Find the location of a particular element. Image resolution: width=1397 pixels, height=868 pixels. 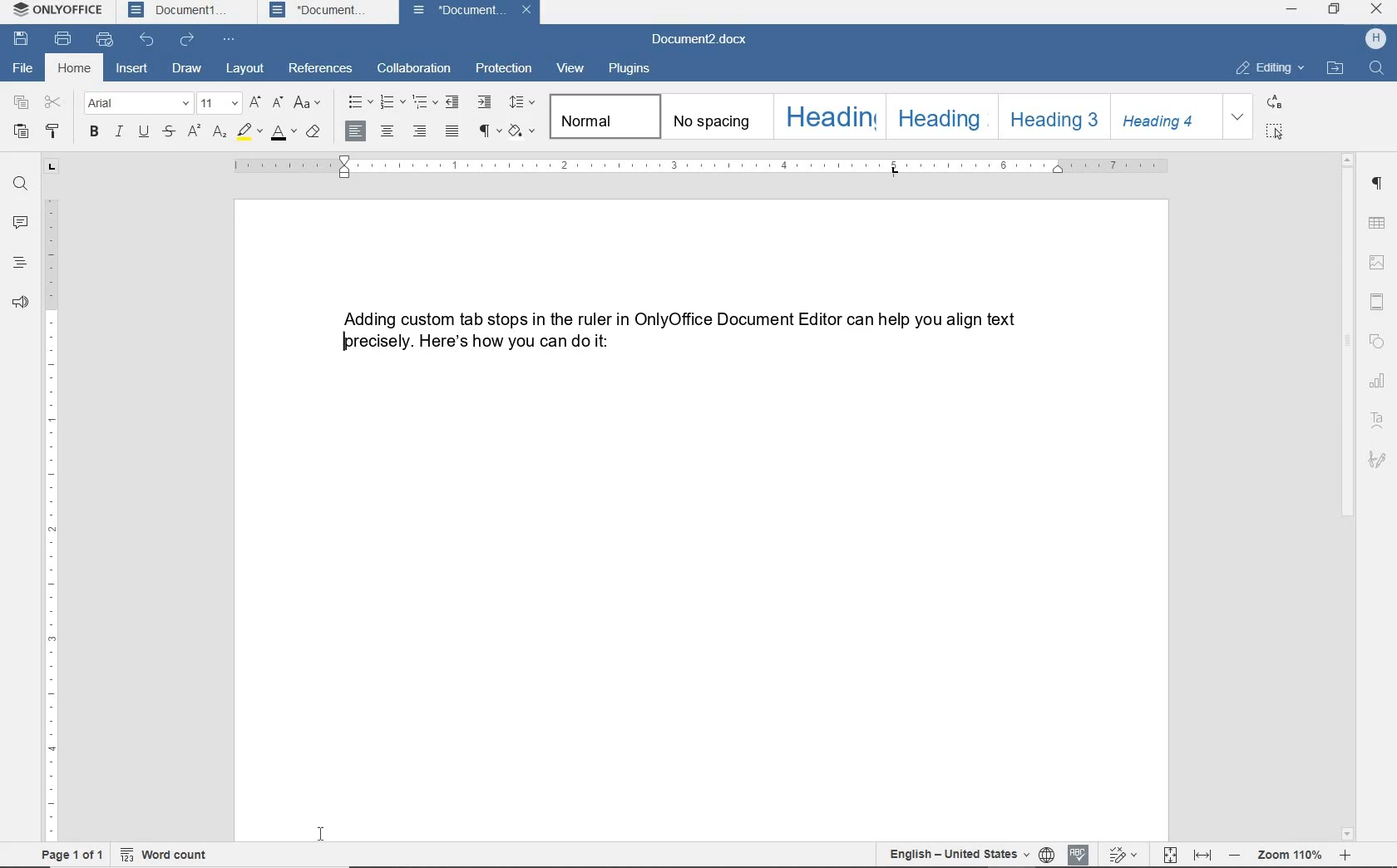

align right is located at coordinates (420, 131).